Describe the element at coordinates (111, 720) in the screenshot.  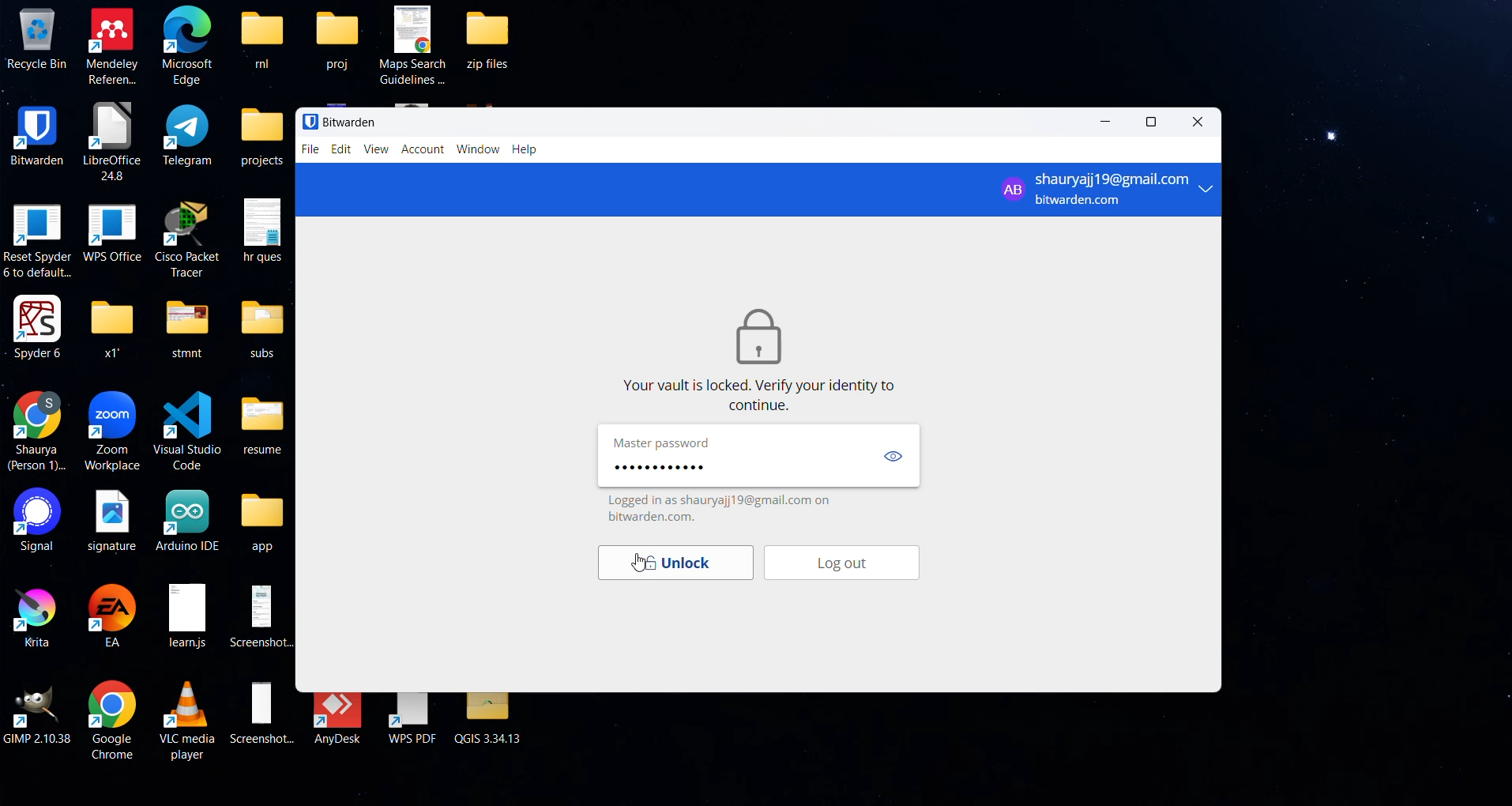
I see `Google Chrome` at that location.